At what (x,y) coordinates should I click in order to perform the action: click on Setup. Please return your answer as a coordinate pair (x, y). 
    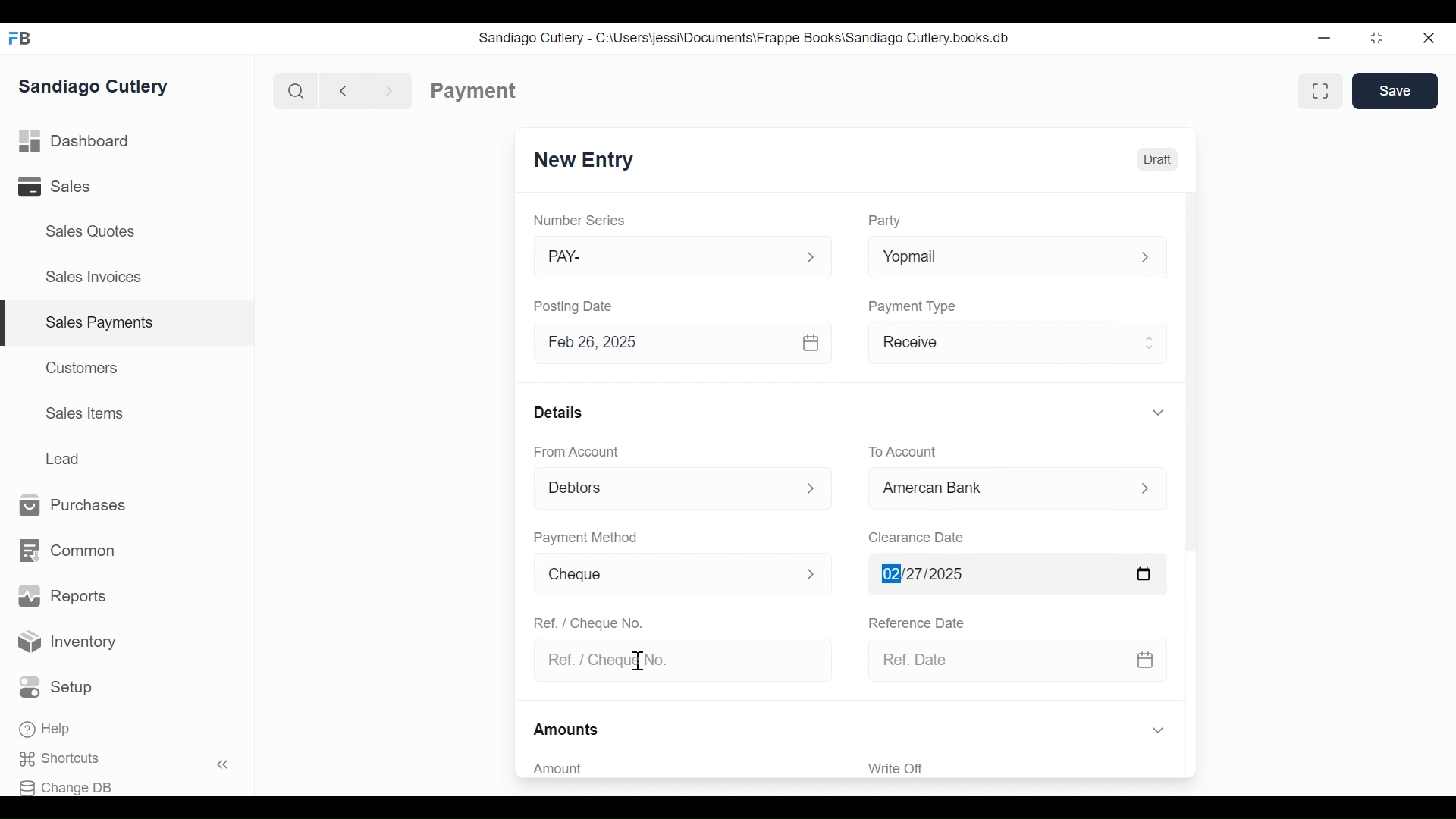
    Looking at the image, I should click on (60, 688).